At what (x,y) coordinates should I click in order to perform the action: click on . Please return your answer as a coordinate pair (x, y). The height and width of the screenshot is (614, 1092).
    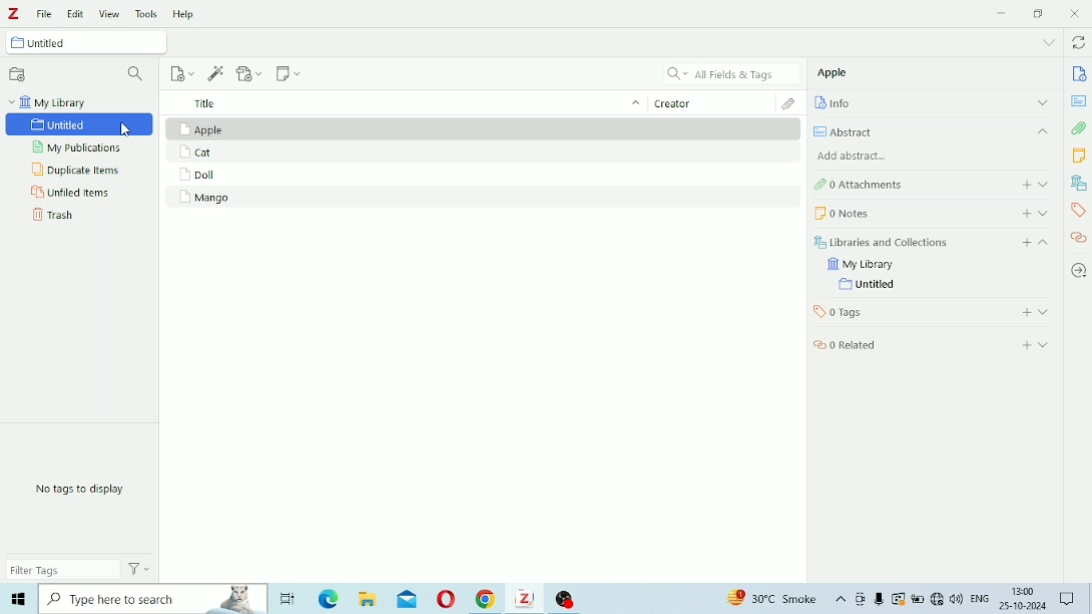
    Looking at the image, I should click on (367, 598).